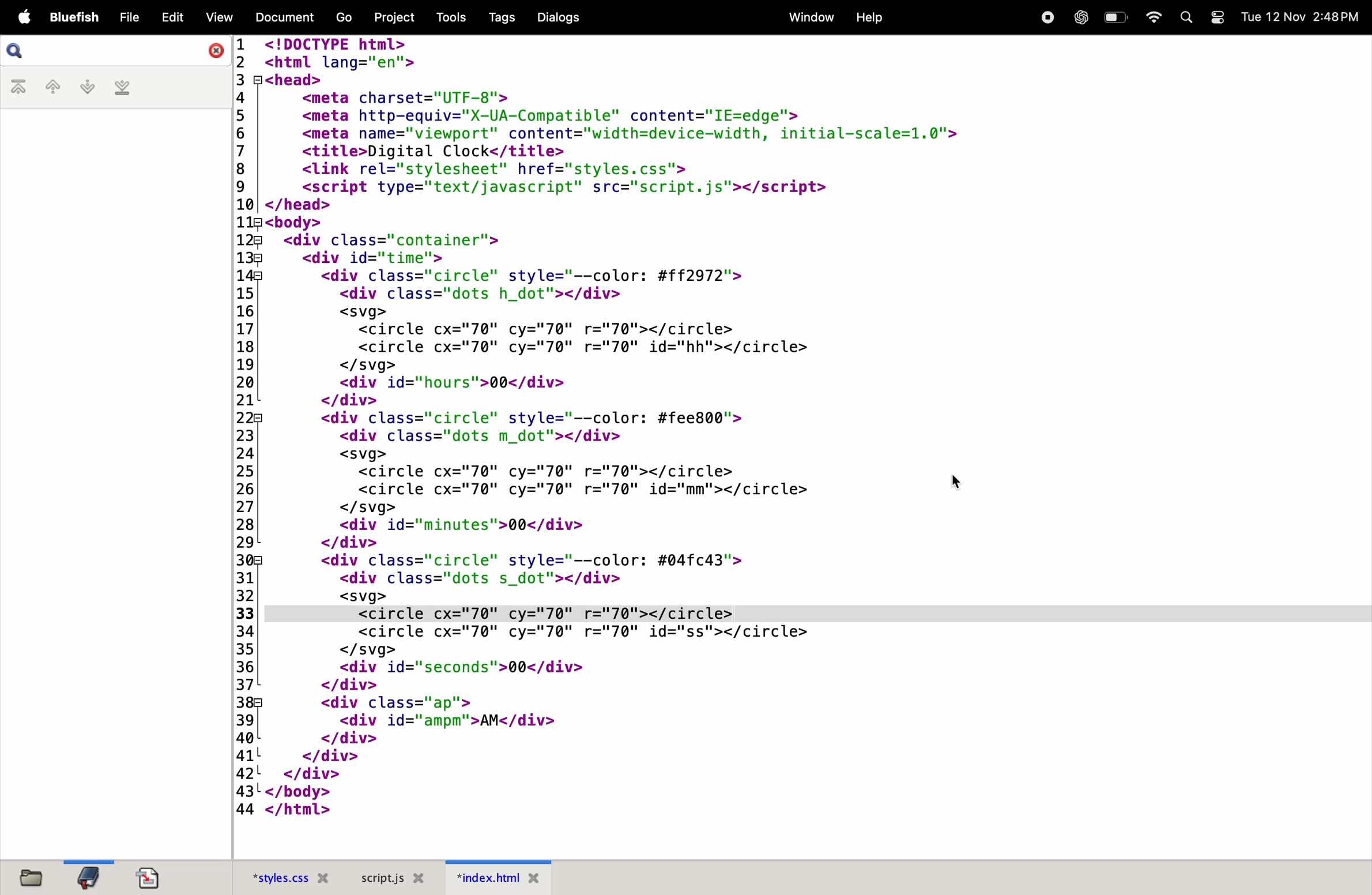 Image resolution: width=1372 pixels, height=895 pixels. What do you see at coordinates (281, 18) in the screenshot?
I see `document` at bounding box center [281, 18].